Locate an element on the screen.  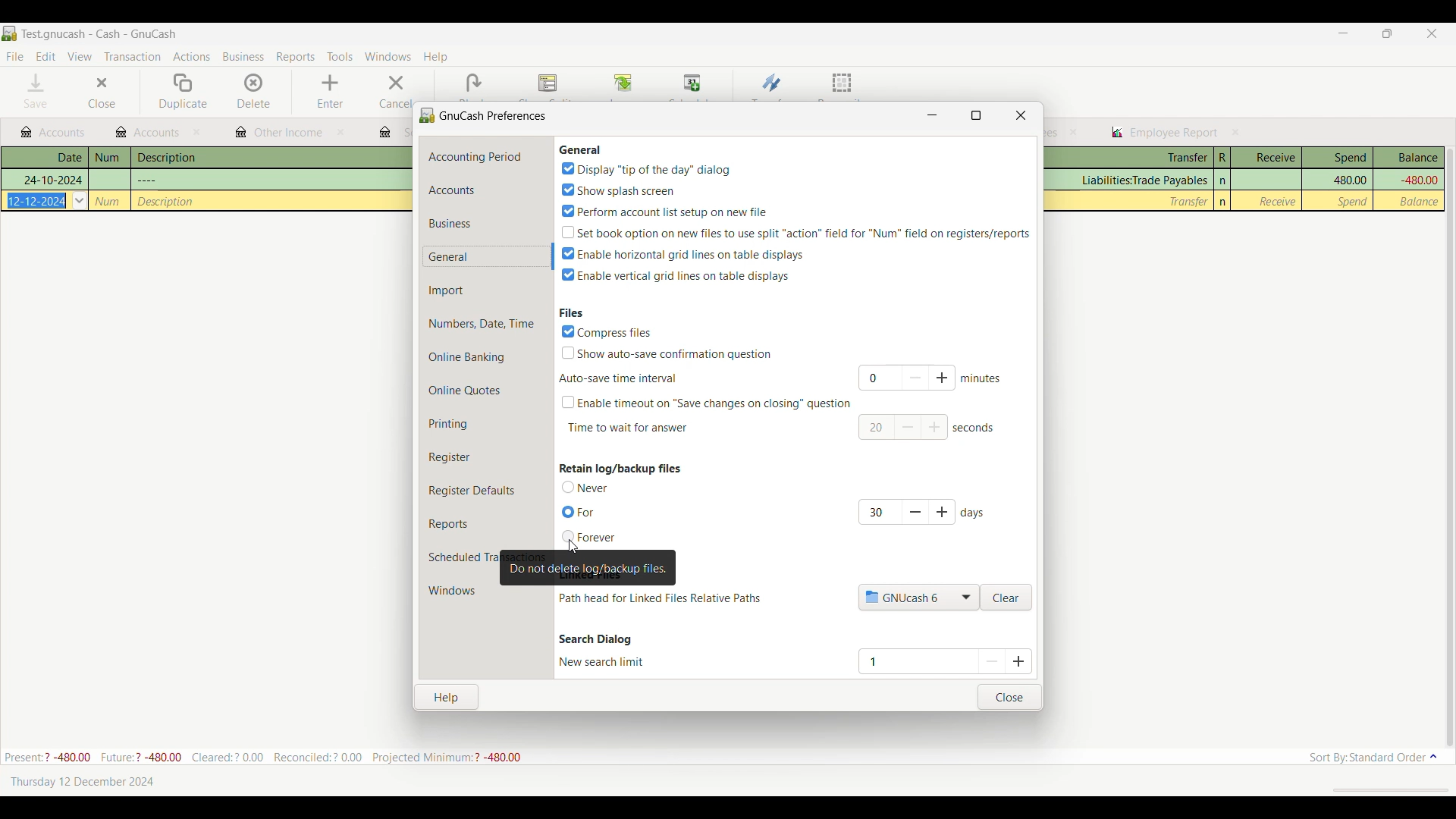
Budget details is located at coordinates (262, 757).